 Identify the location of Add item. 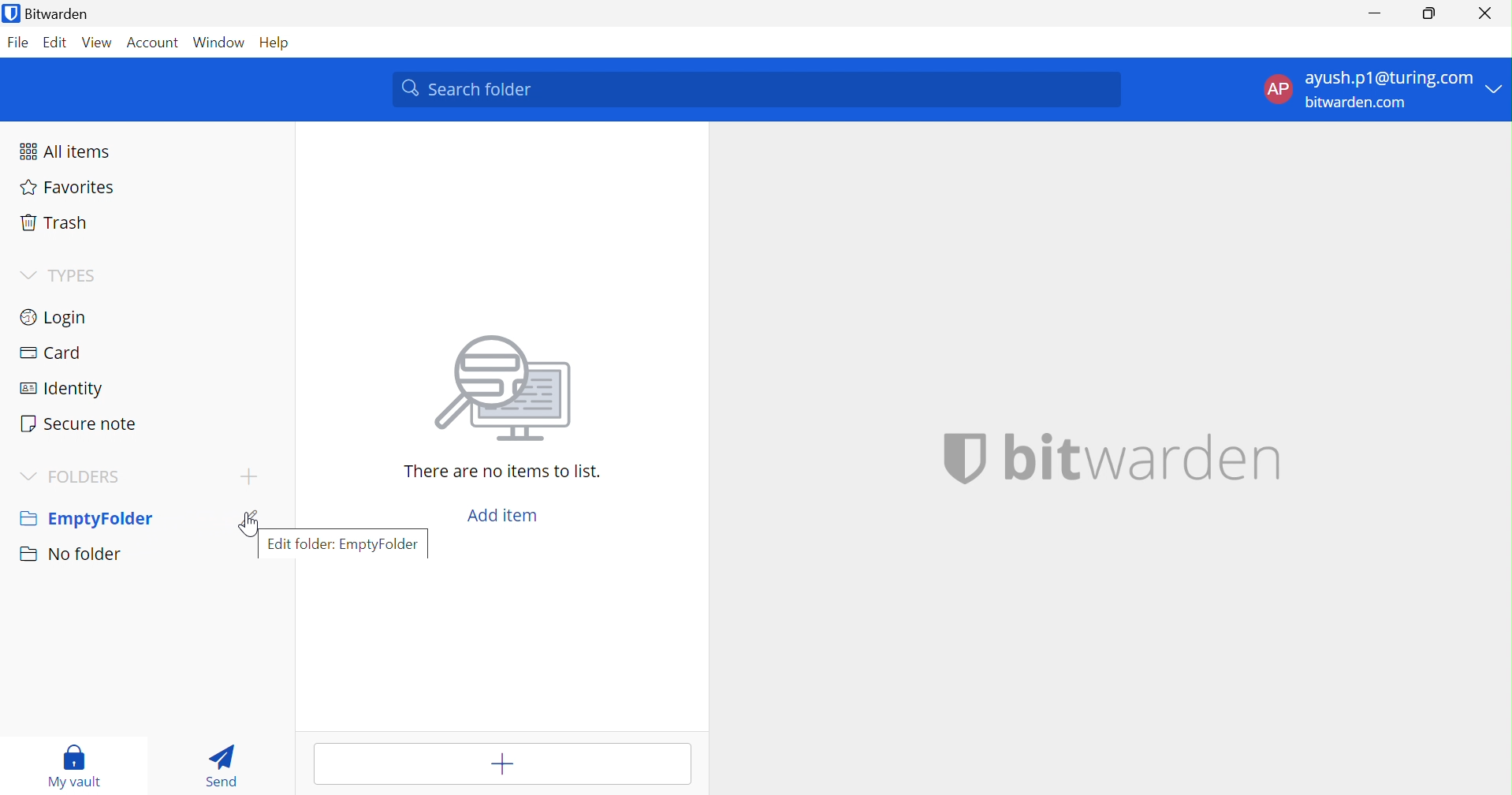
(503, 517).